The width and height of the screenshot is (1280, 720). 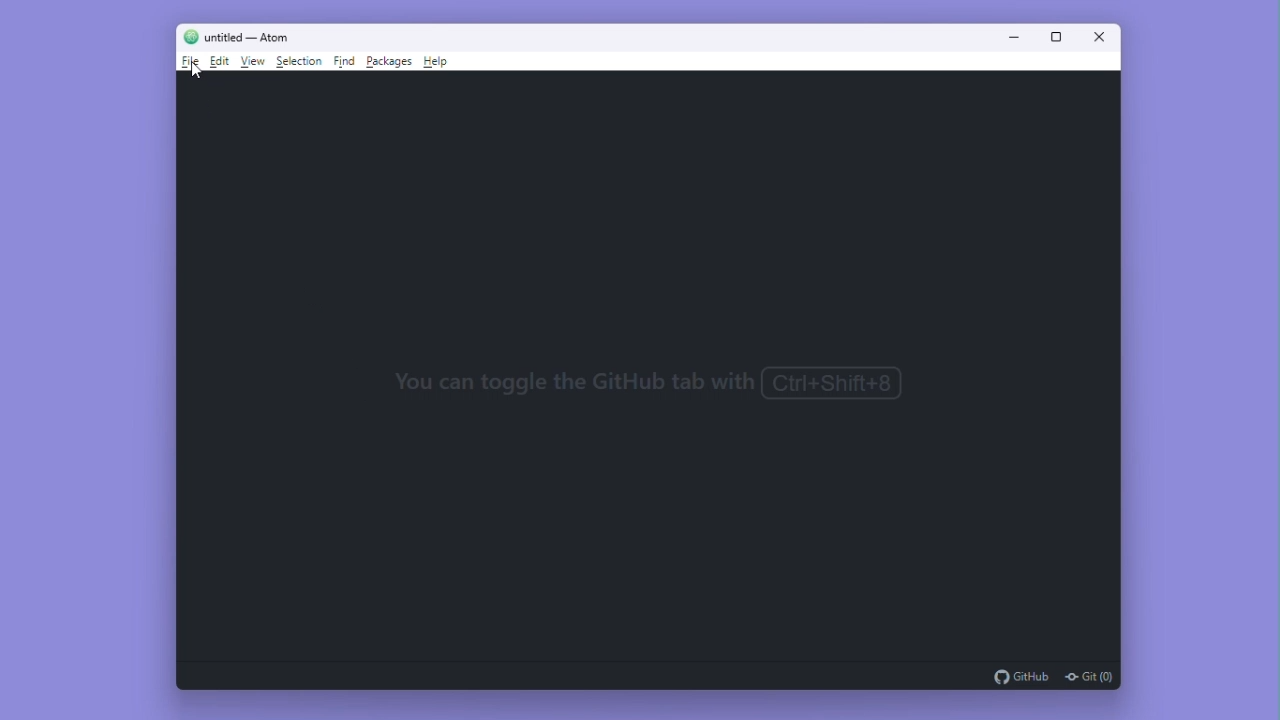 I want to click on You can toggle the GitHub tab with Ctrl+Shift+8, so click(x=651, y=384).